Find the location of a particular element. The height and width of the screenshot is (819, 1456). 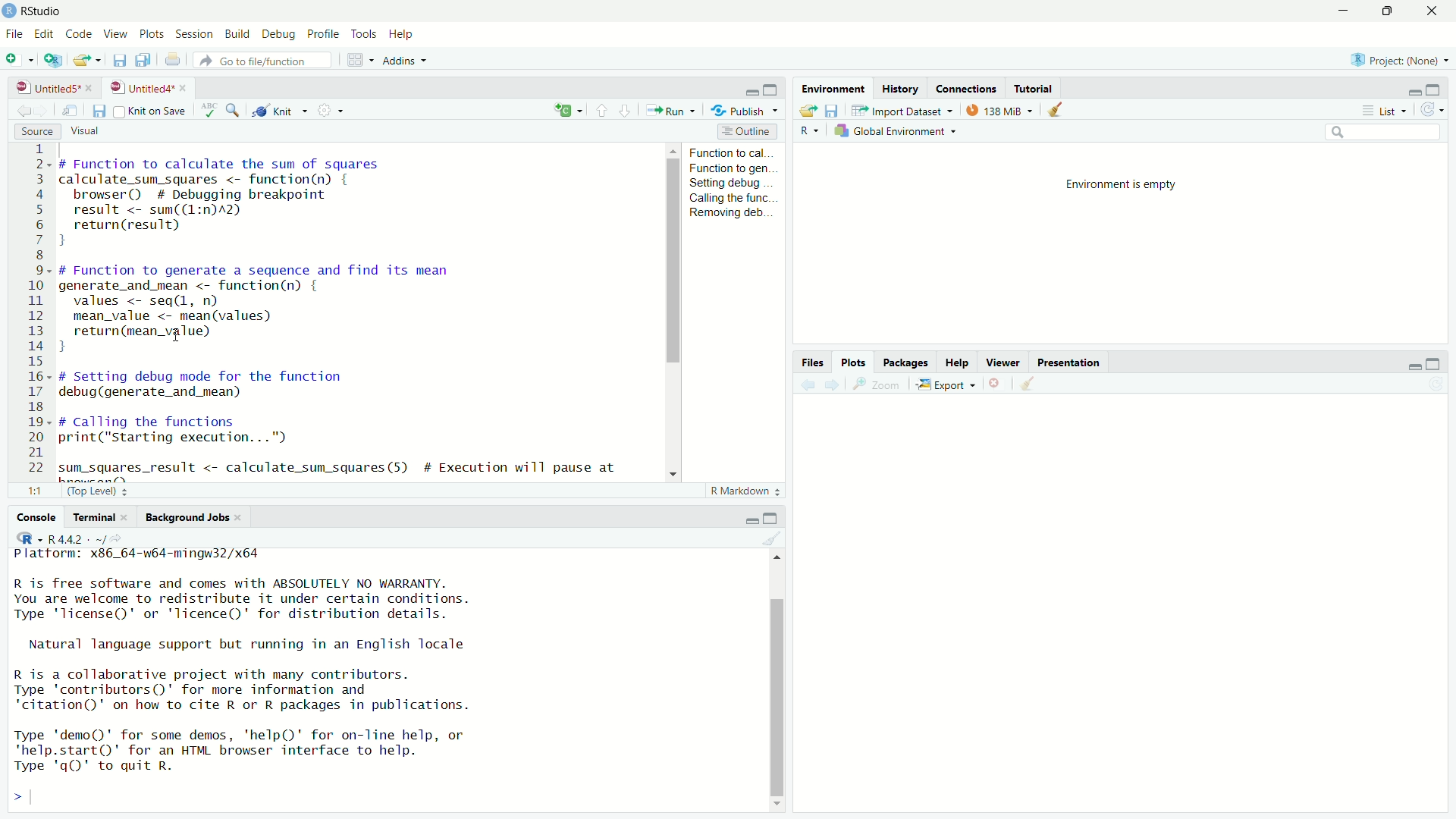

minimize is located at coordinates (745, 516).